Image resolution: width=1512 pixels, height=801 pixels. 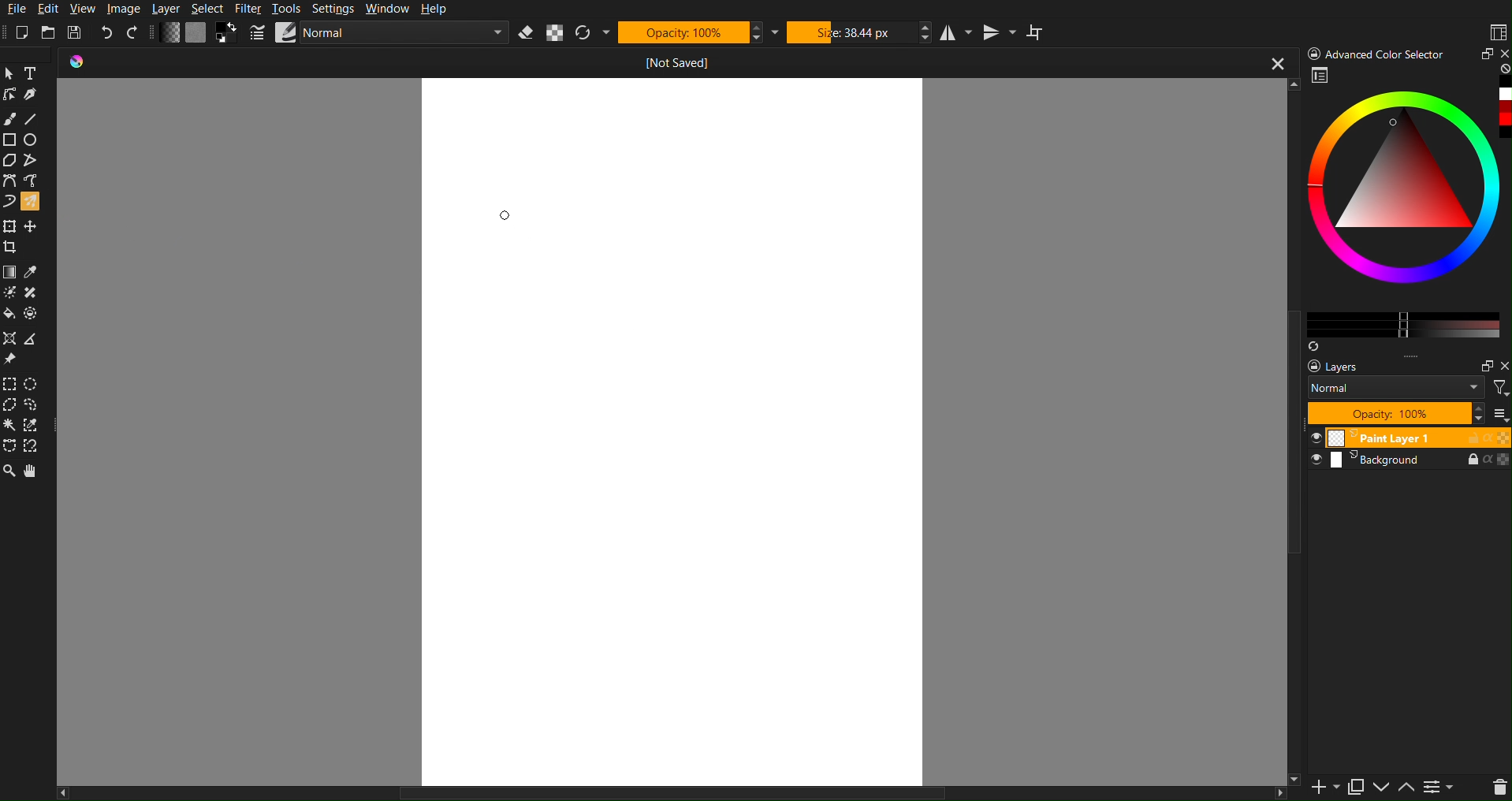 What do you see at coordinates (1313, 343) in the screenshot?
I see `sync` at bounding box center [1313, 343].